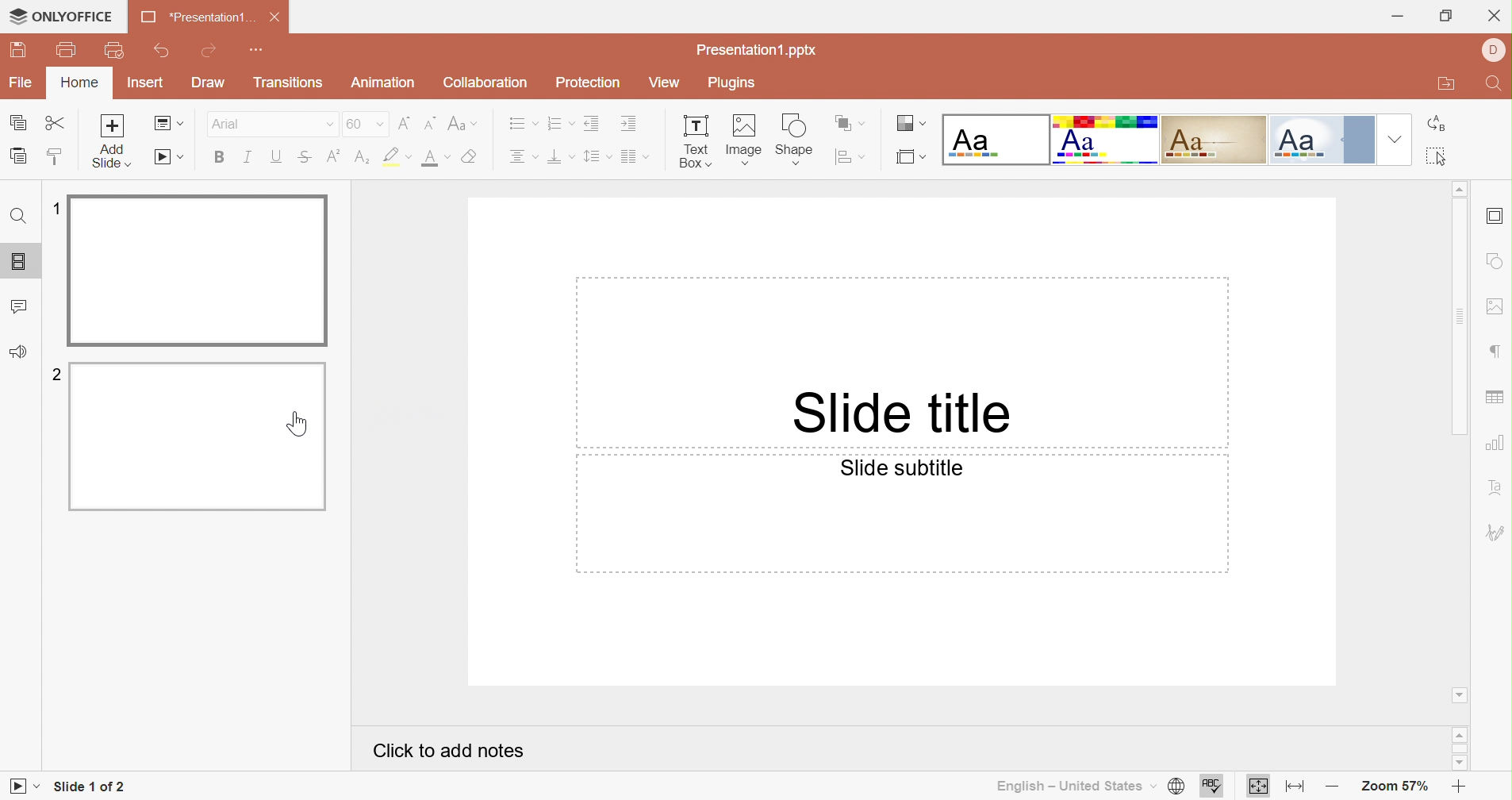 The image size is (1512, 800). Describe the element at coordinates (213, 83) in the screenshot. I see `Draw` at that location.